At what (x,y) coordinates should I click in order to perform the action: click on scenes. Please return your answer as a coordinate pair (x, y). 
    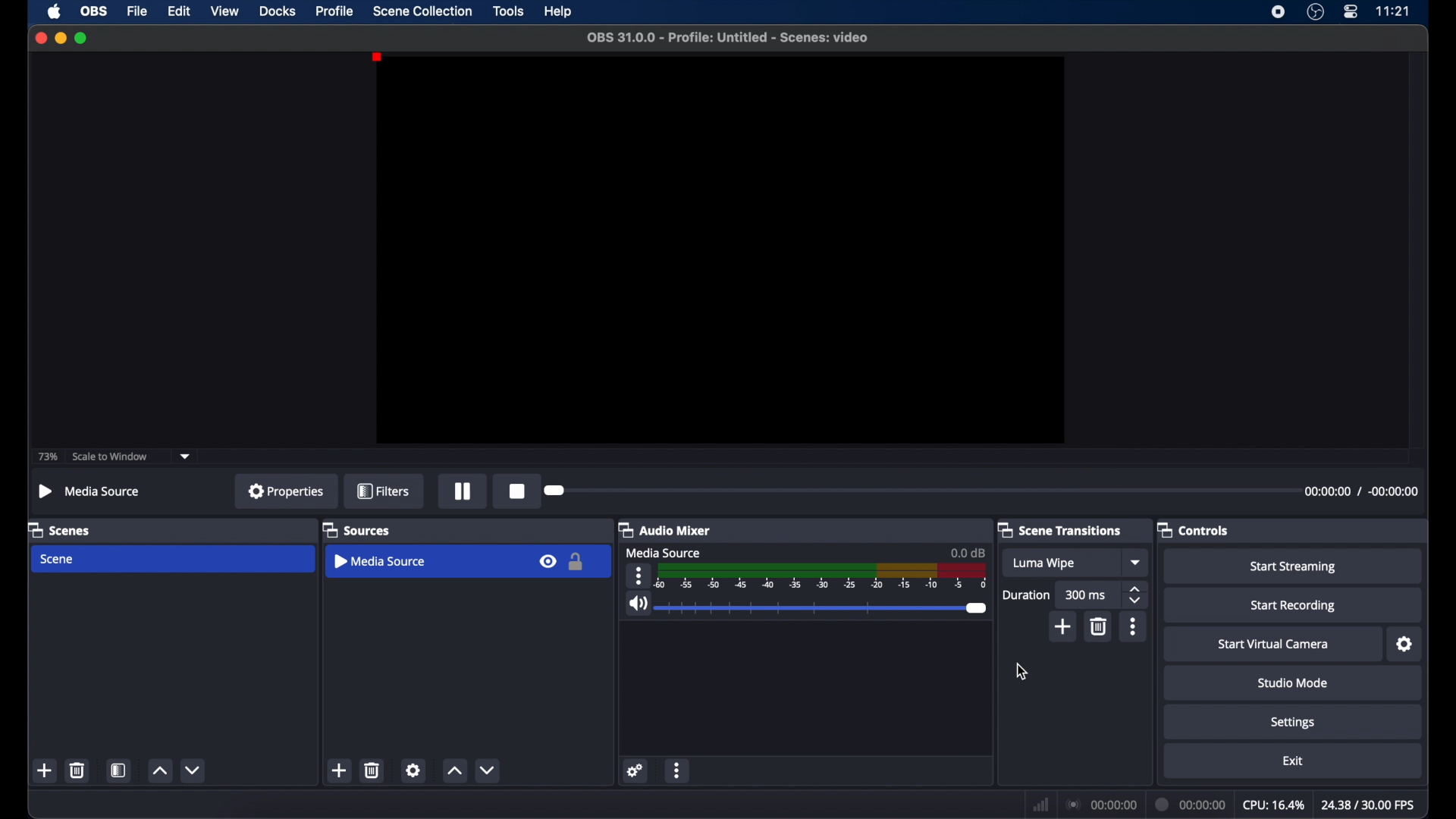
    Looking at the image, I should click on (60, 529).